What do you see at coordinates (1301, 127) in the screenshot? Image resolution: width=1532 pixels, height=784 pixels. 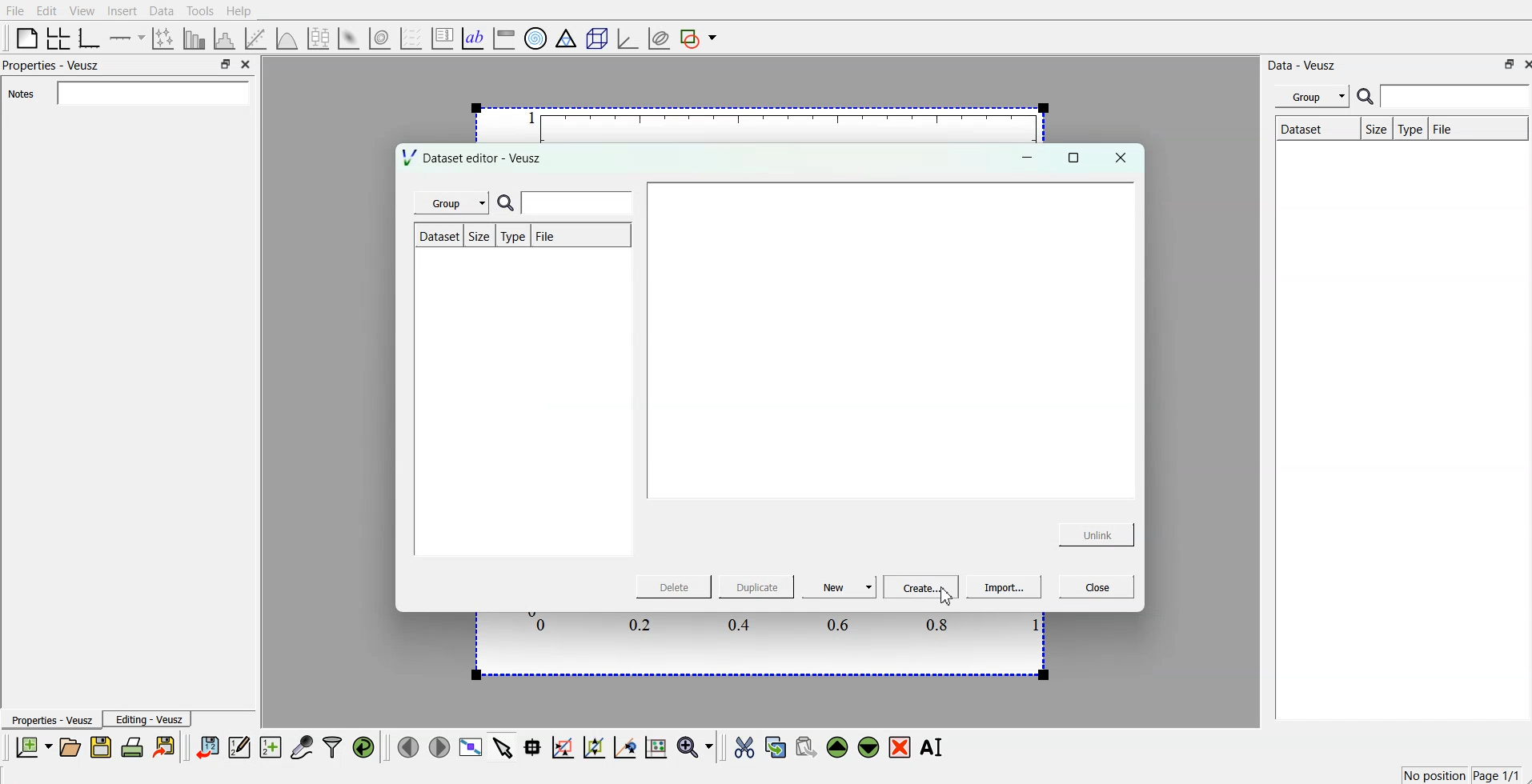 I see `Dataset` at bounding box center [1301, 127].